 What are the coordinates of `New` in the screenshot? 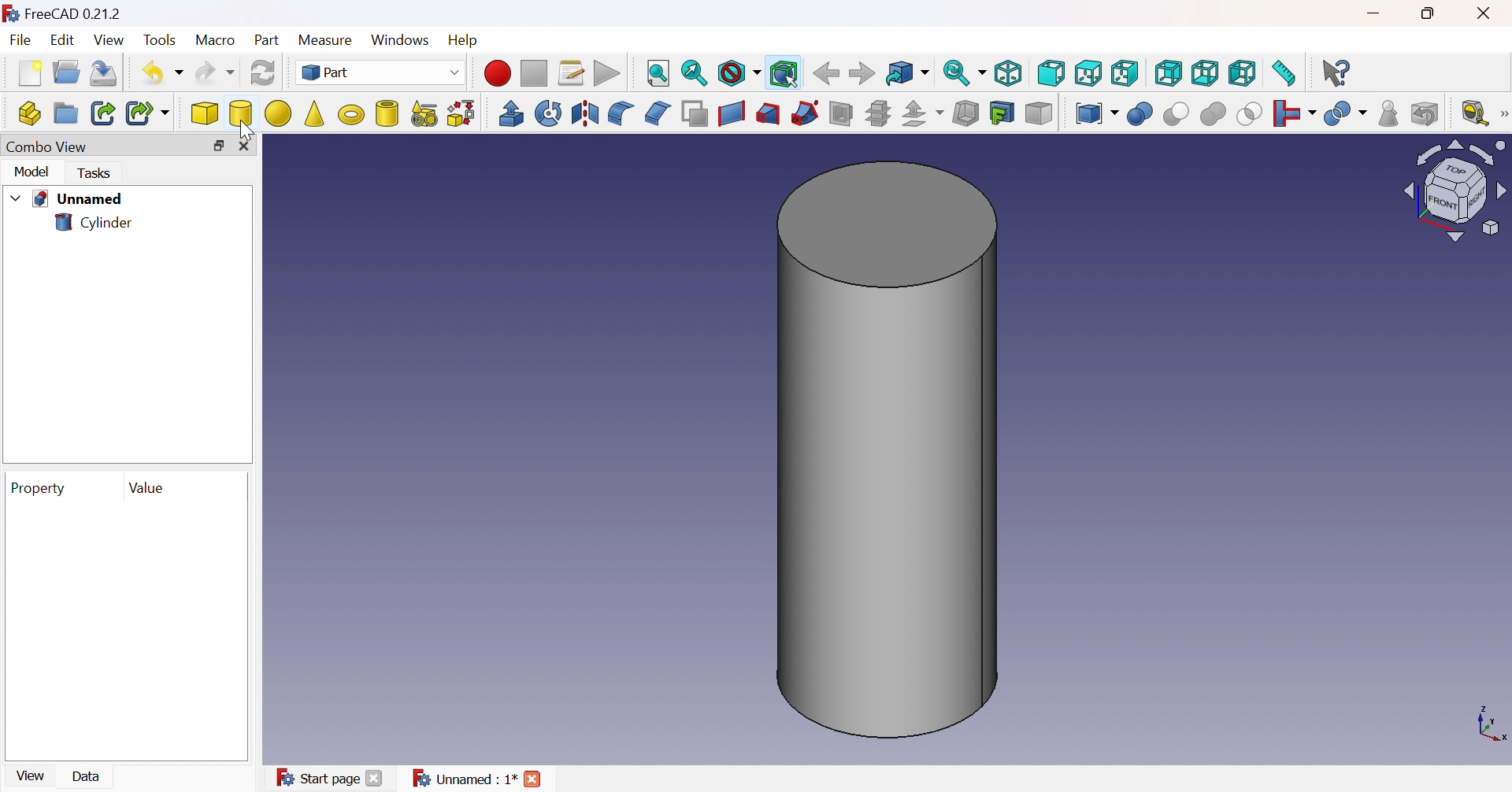 It's located at (31, 73).